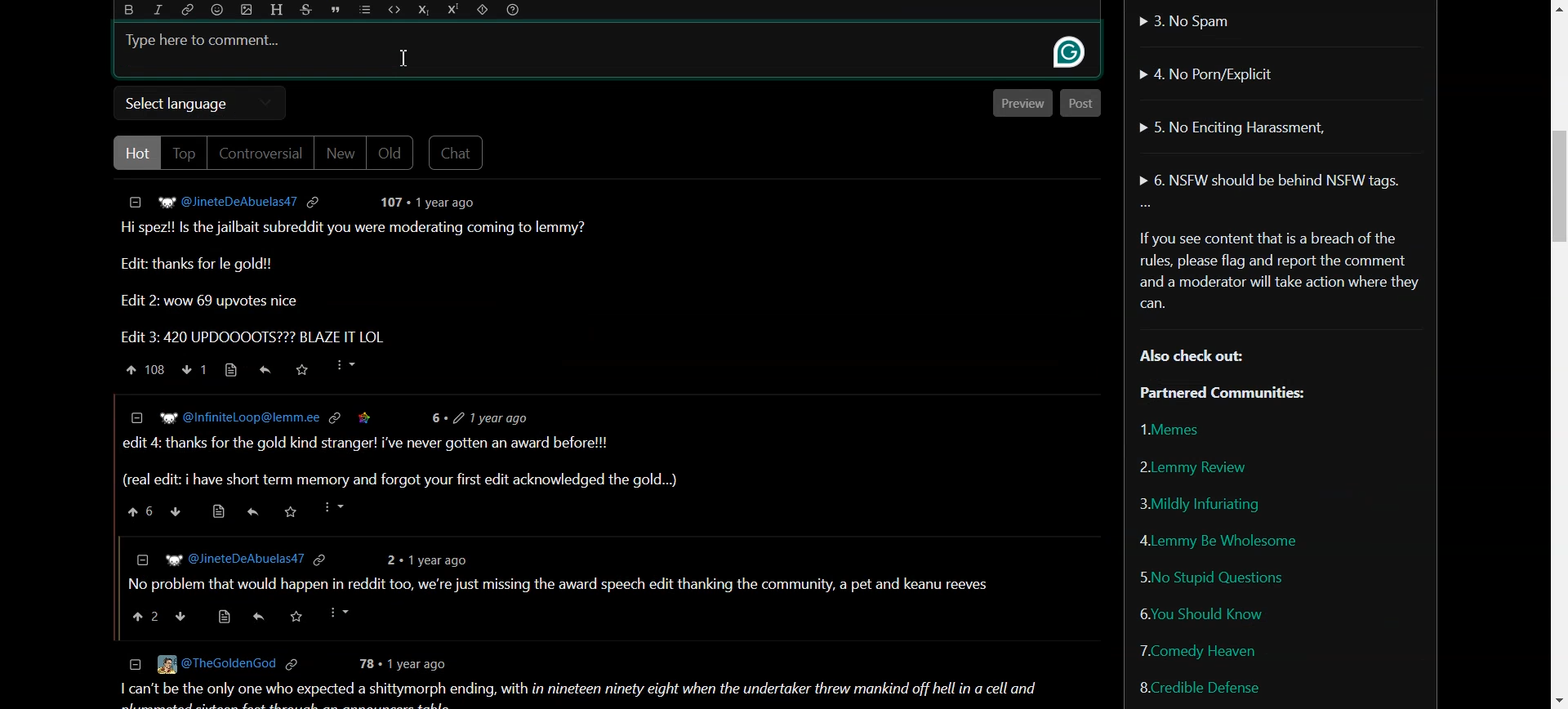 The height and width of the screenshot is (709, 1568). Describe the element at coordinates (225, 618) in the screenshot. I see `source` at that location.